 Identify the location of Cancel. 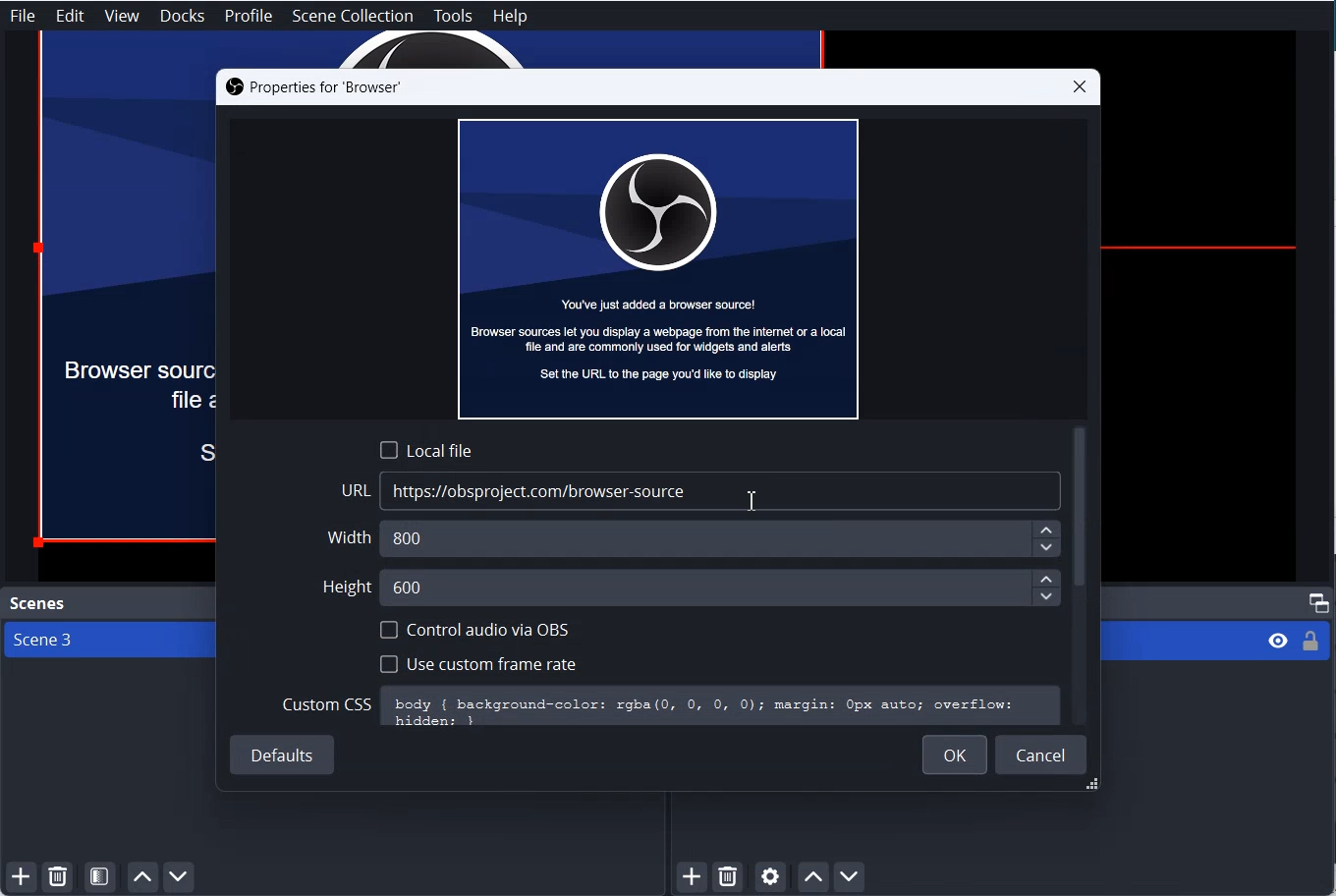
(1041, 754).